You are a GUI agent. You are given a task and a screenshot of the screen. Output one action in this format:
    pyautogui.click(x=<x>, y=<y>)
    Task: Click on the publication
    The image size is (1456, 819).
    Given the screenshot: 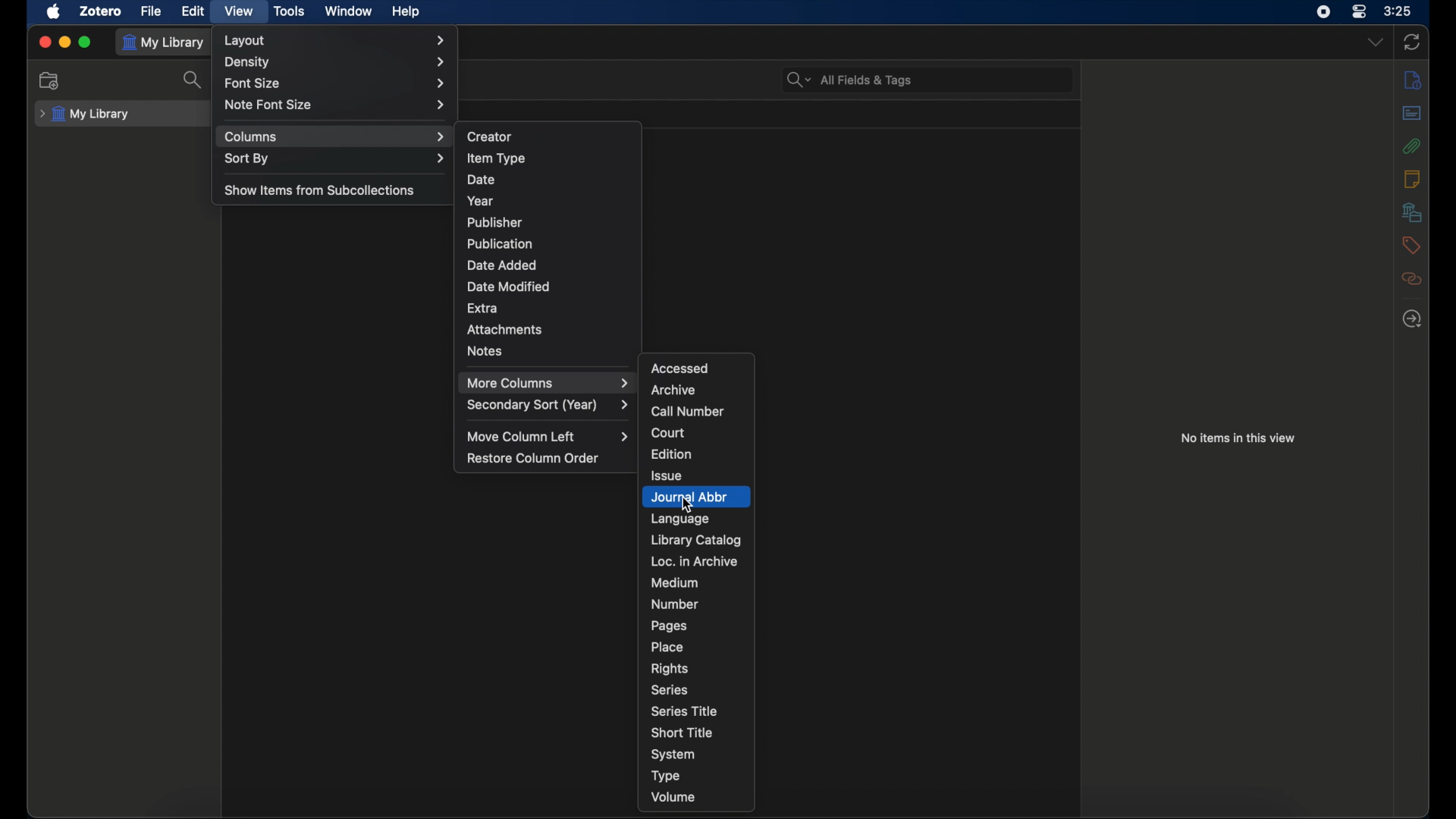 What is the action you would take?
    pyautogui.click(x=500, y=243)
    